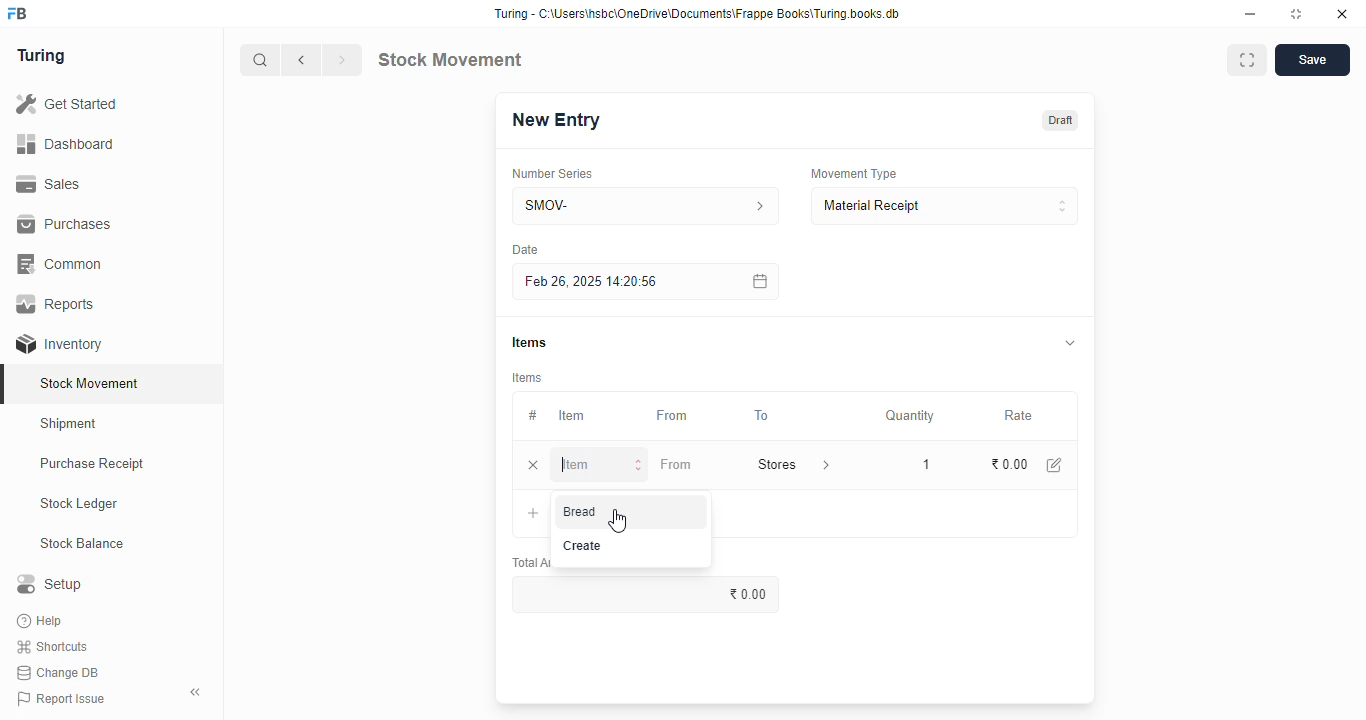 This screenshot has width=1366, height=720. I want to click on toggle sidebar, so click(196, 692).